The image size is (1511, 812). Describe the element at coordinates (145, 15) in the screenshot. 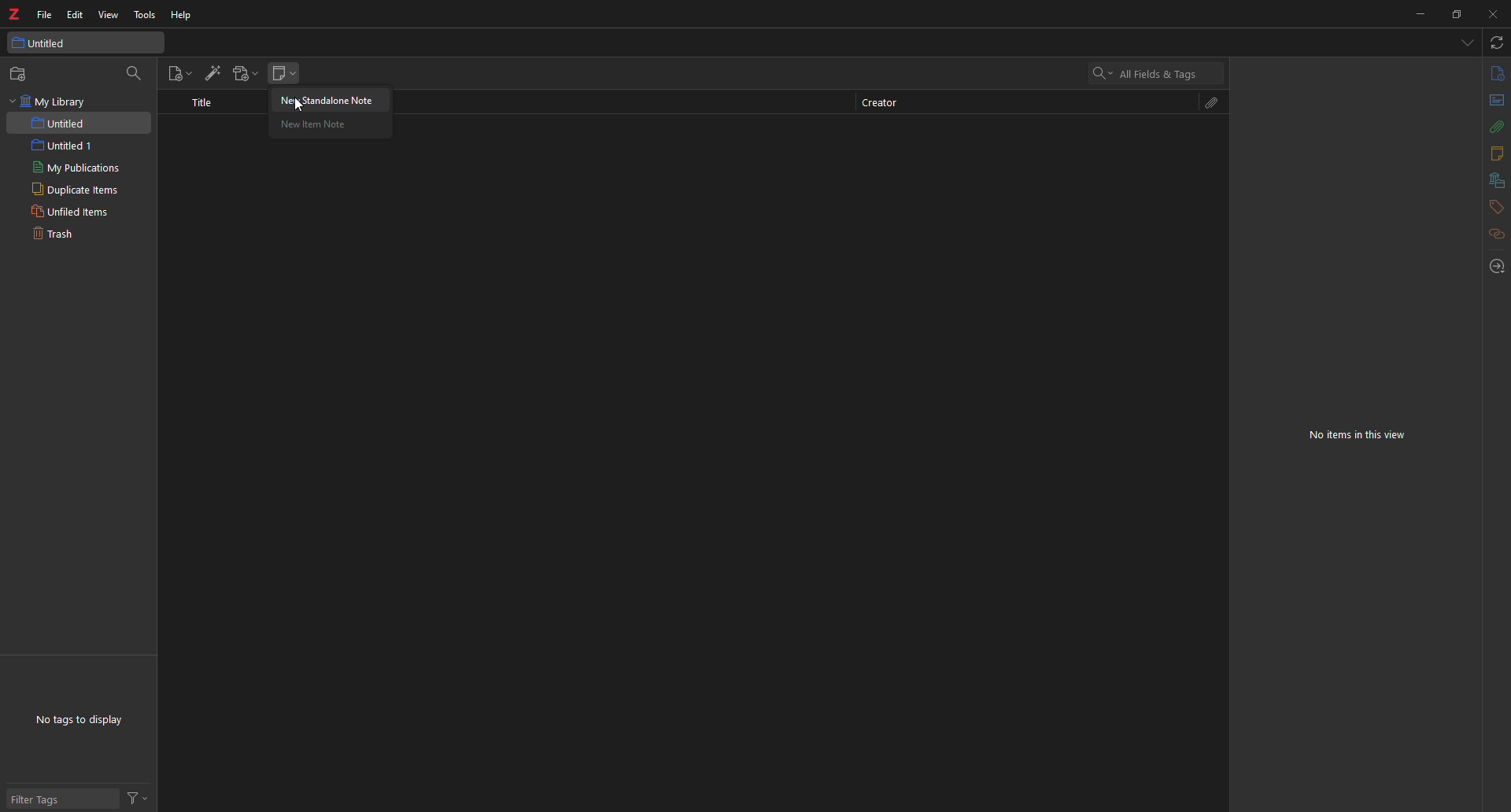

I see `tools` at that location.